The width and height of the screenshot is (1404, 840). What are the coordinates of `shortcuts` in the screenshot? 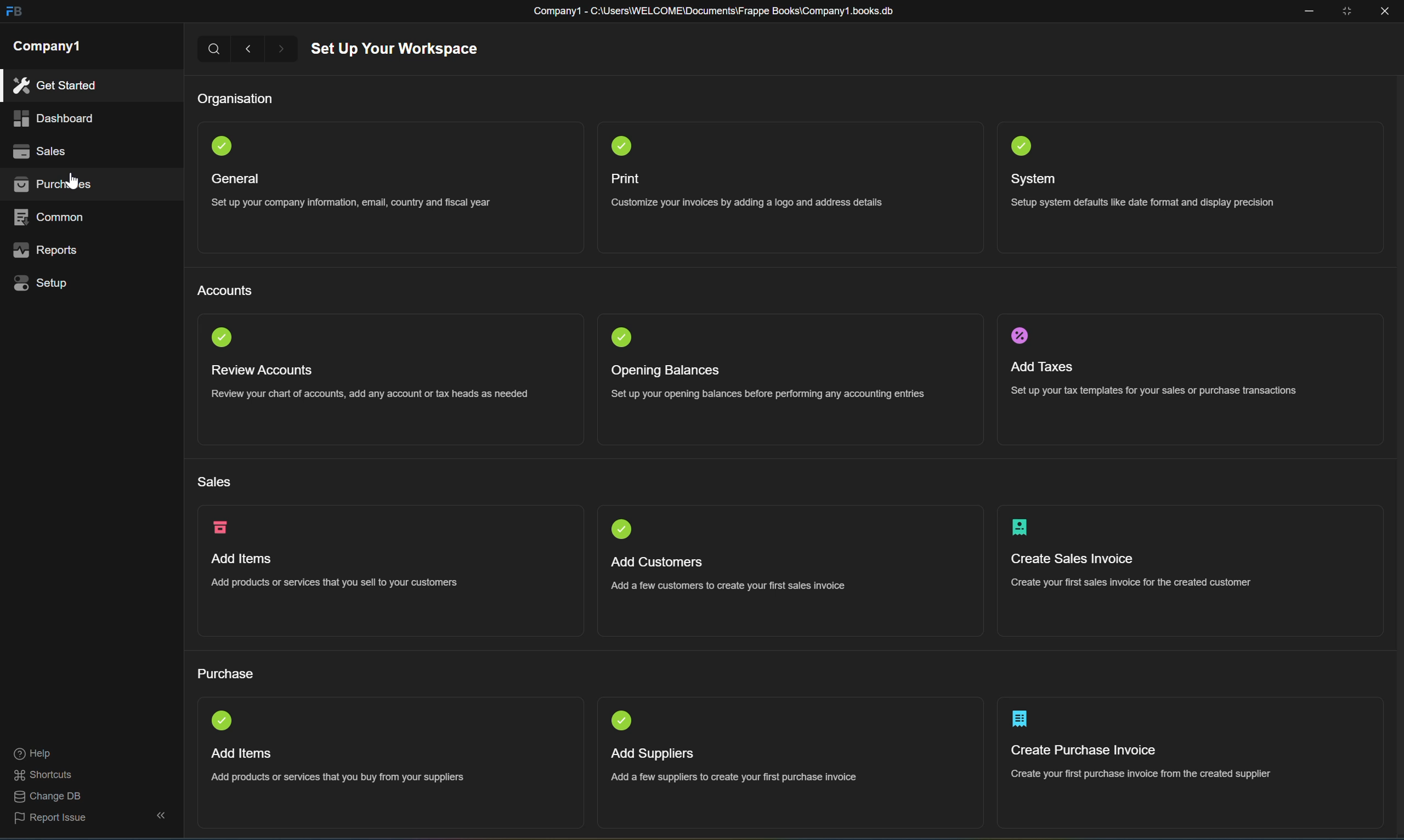 It's located at (44, 775).